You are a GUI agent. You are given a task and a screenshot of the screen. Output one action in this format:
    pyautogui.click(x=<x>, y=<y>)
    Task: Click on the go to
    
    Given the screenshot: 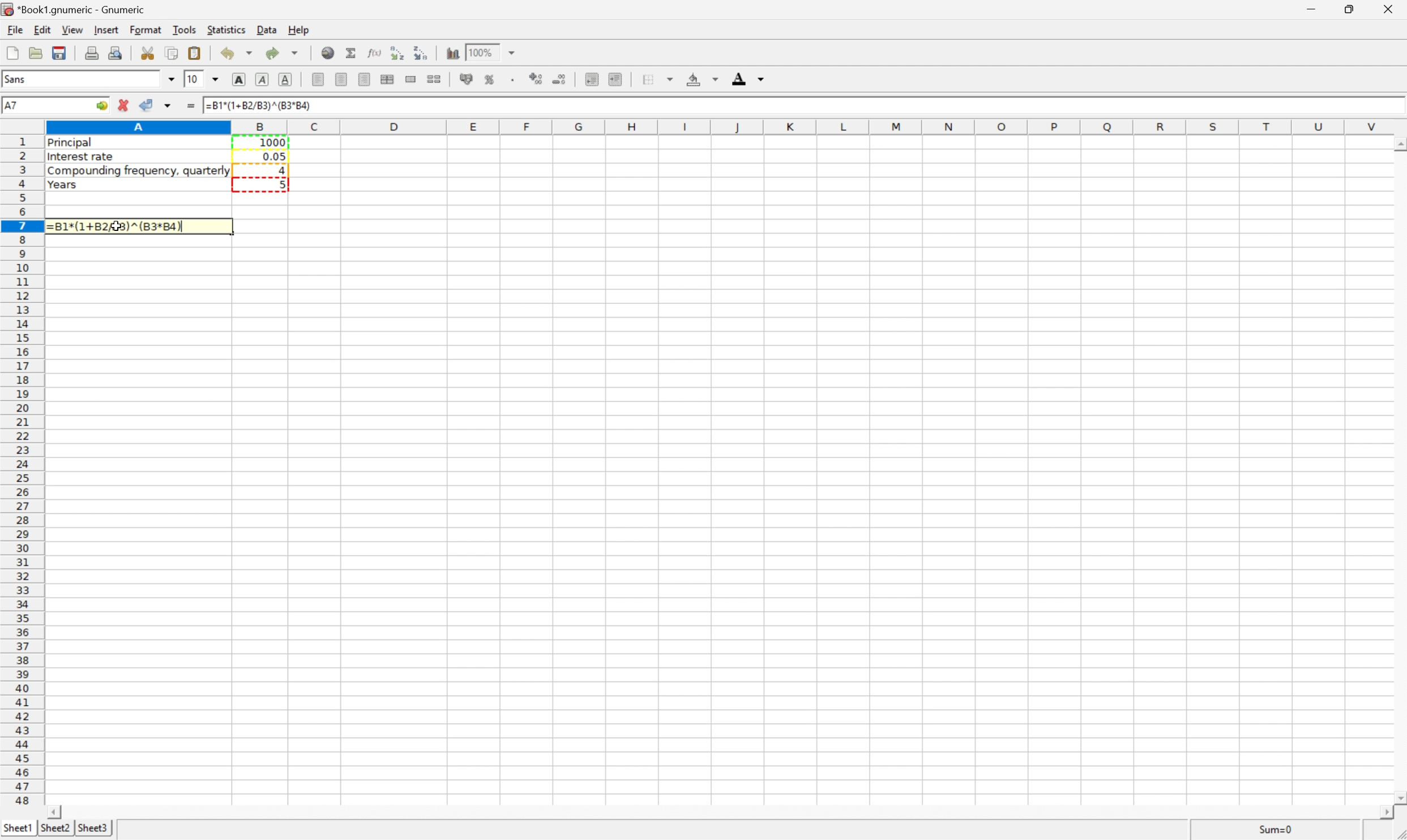 What is the action you would take?
    pyautogui.click(x=103, y=104)
    